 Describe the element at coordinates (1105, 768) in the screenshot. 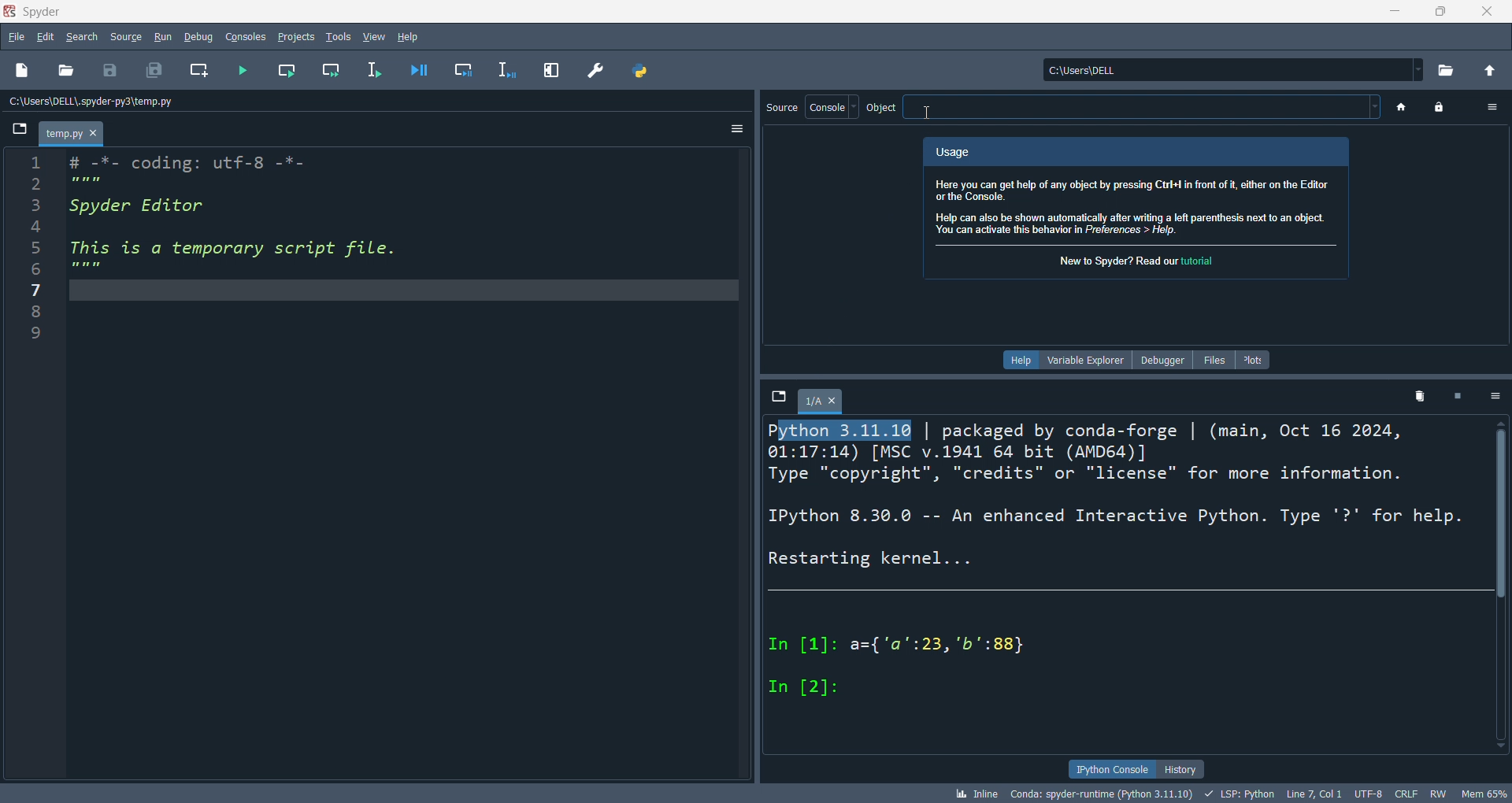

I see `ipython console` at that location.